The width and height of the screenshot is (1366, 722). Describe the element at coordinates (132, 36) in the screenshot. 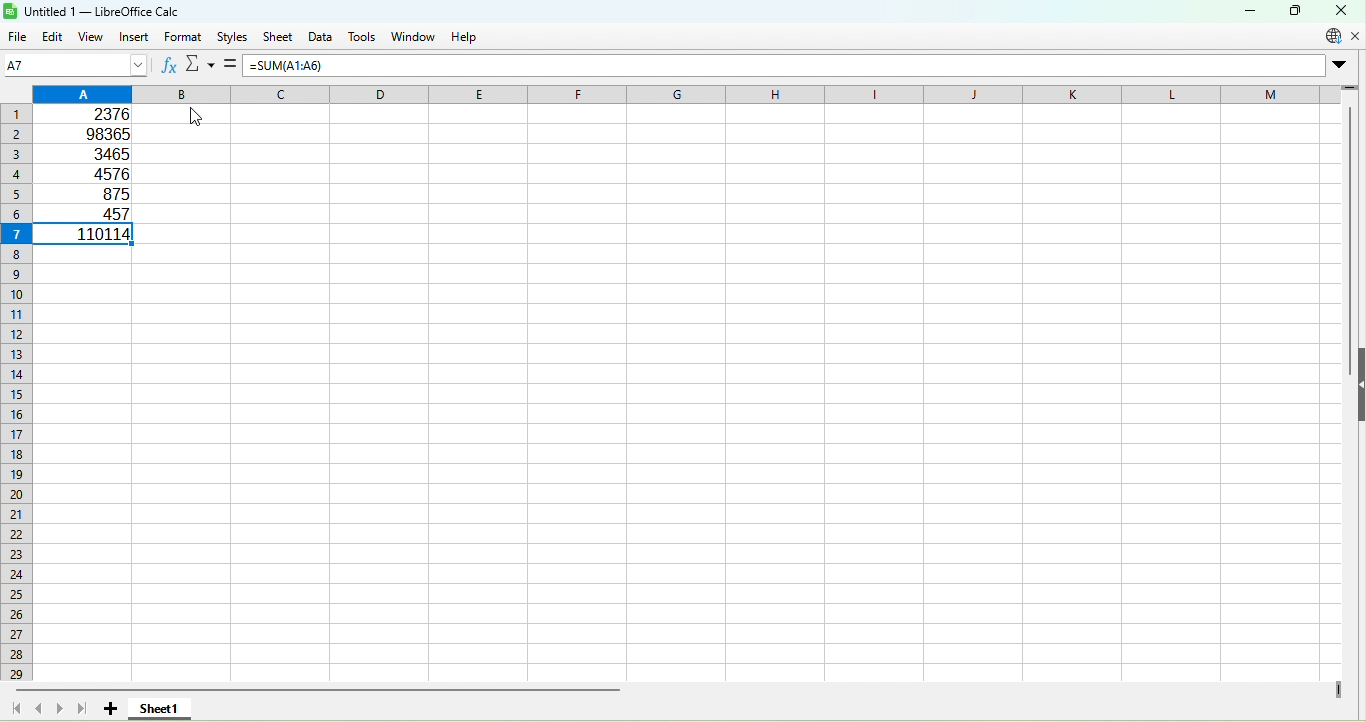

I see `Insert` at that location.